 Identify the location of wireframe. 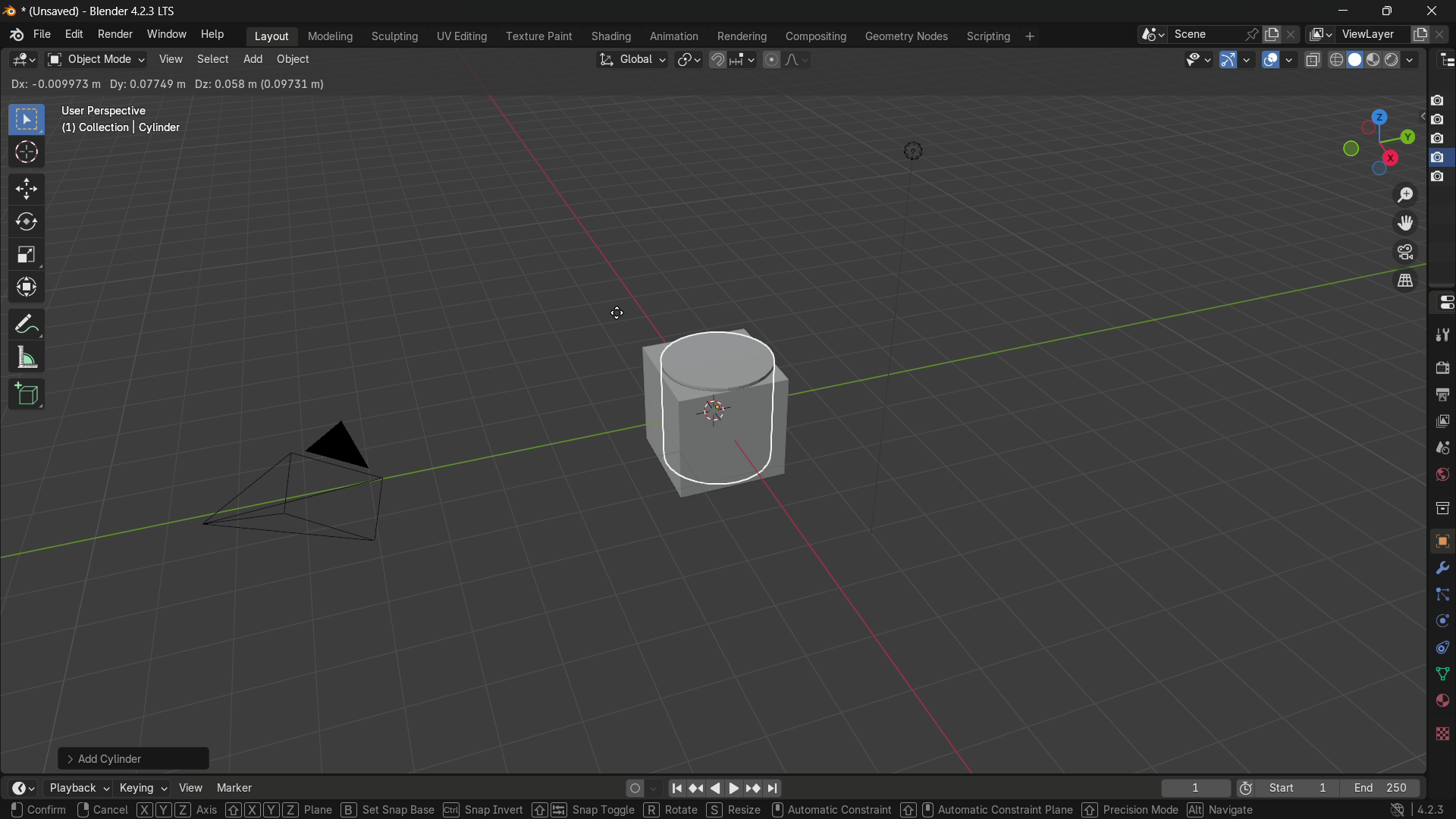
(1336, 60).